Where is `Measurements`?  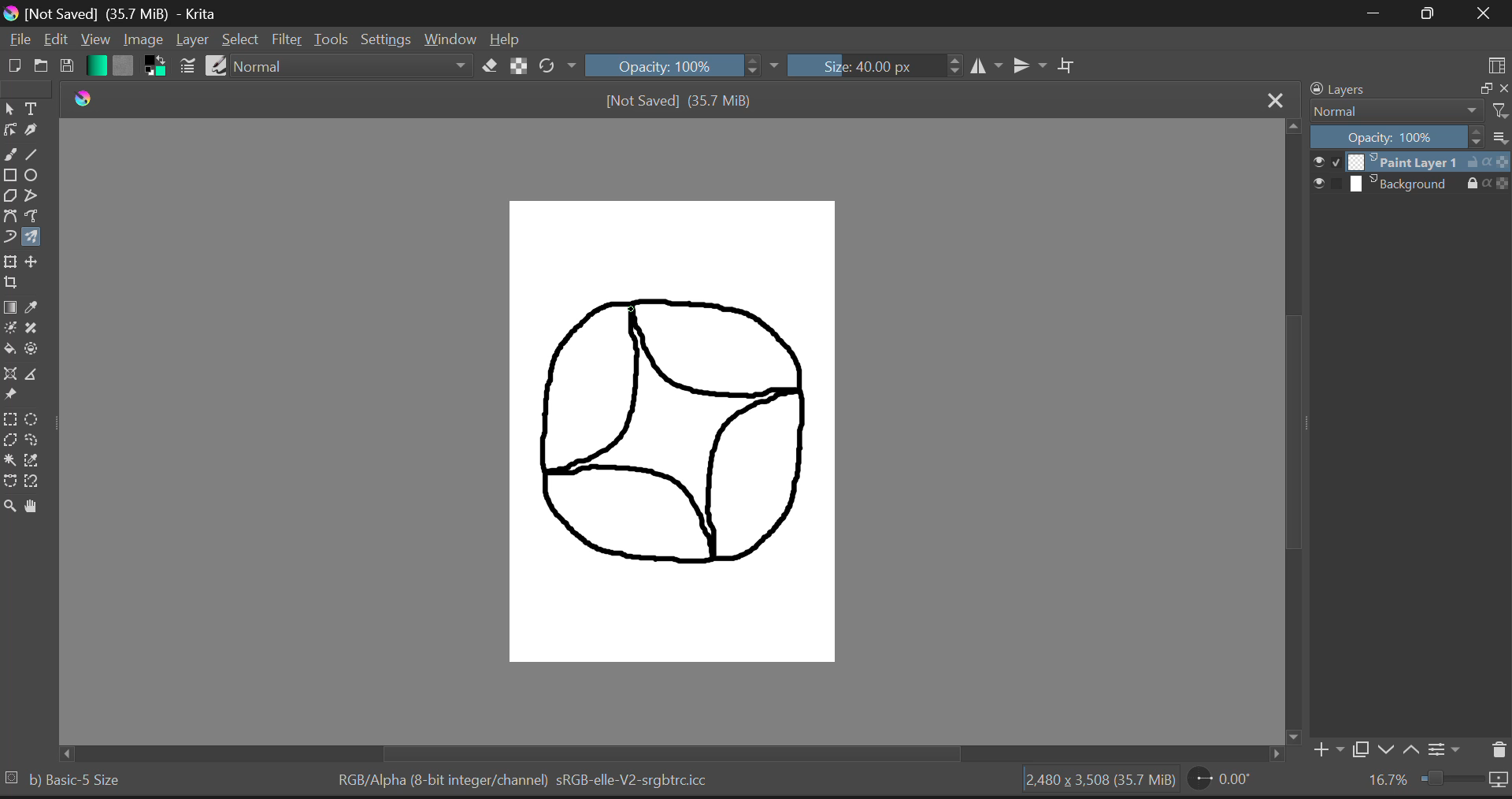 Measurements is located at coordinates (38, 377).